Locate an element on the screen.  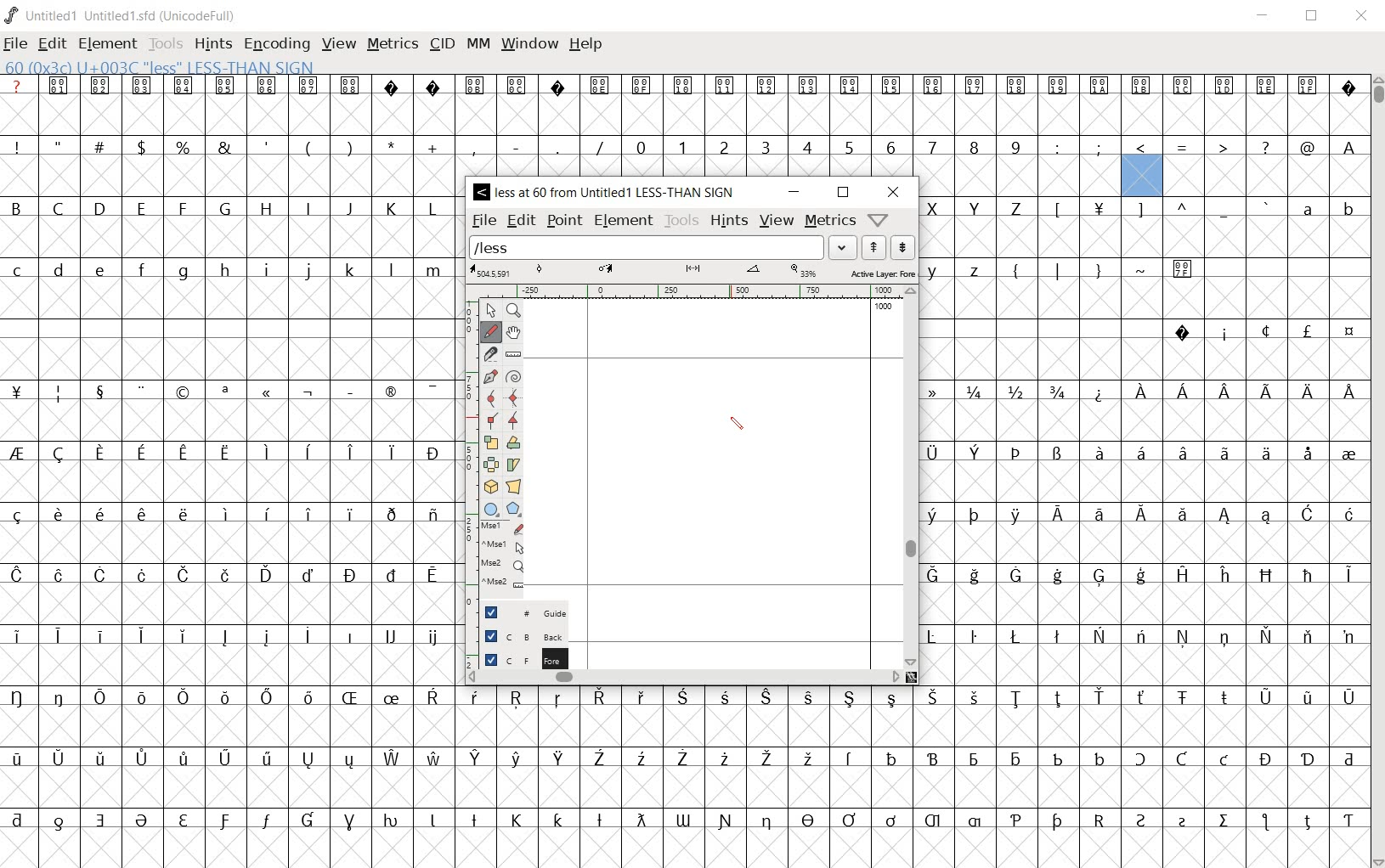
metrics is located at coordinates (393, 45).